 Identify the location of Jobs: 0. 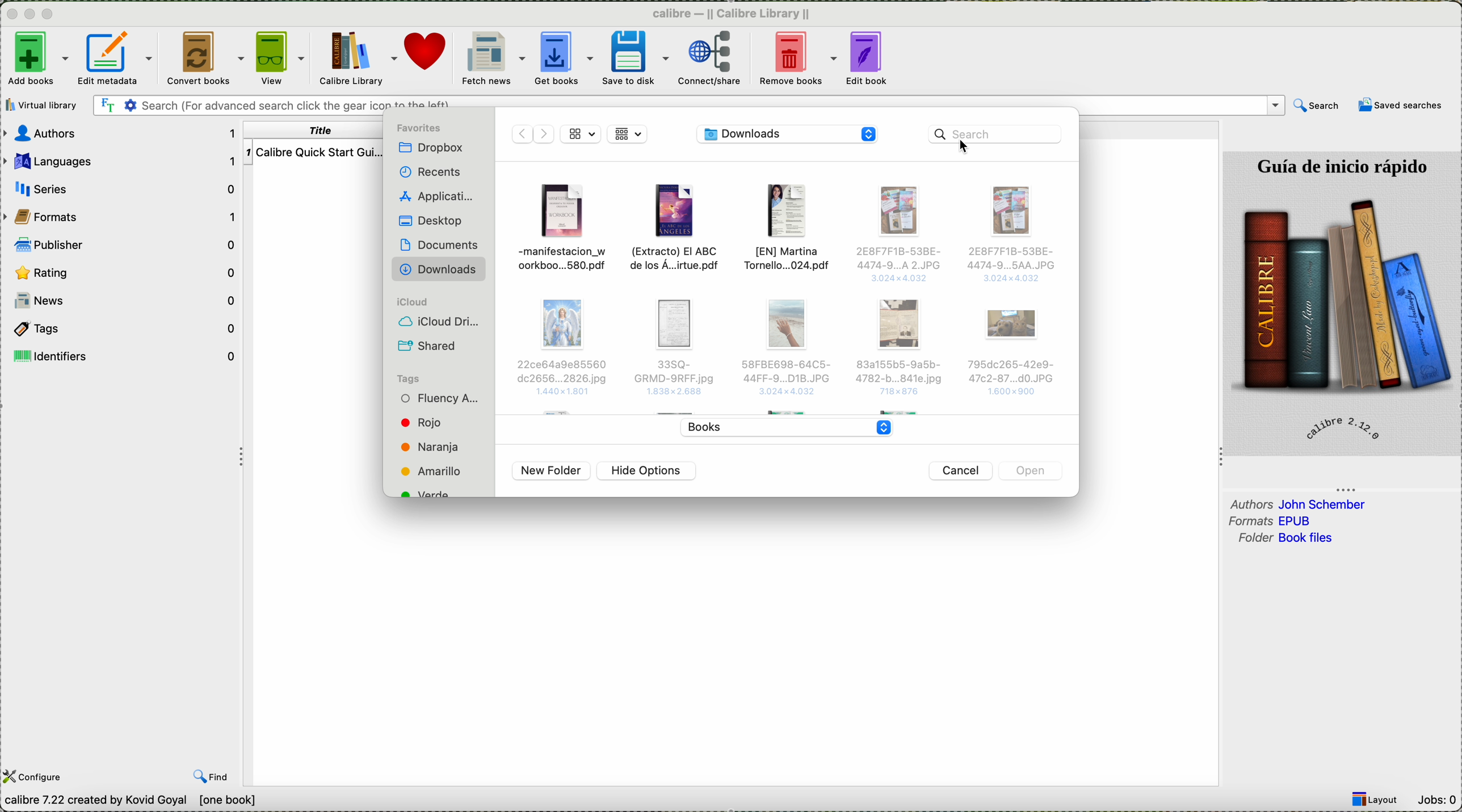
(1436, 801).